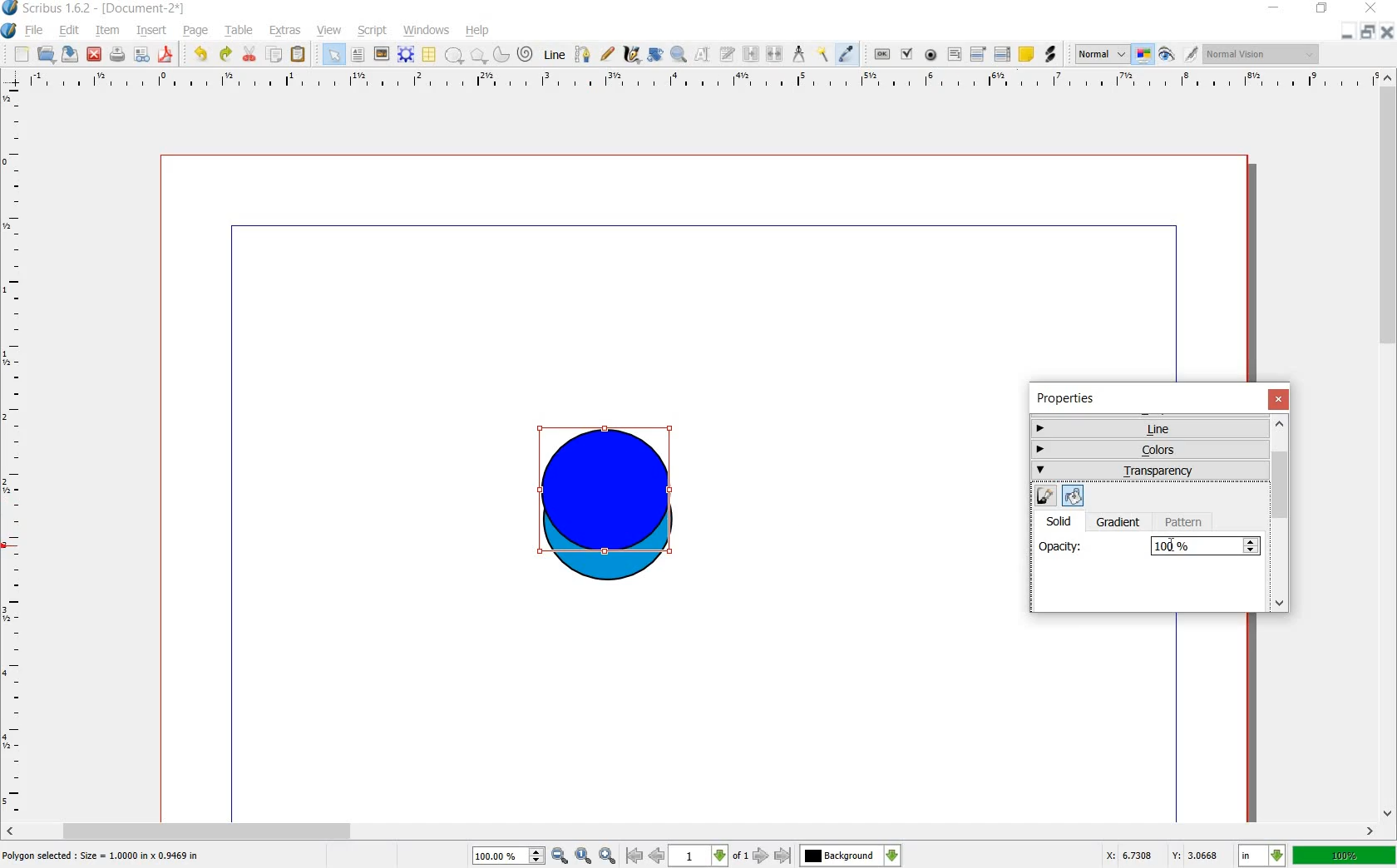  Describe the element at coordinates (536, 856) in the screenshot. I see `increase or decrease zoom` at that location.